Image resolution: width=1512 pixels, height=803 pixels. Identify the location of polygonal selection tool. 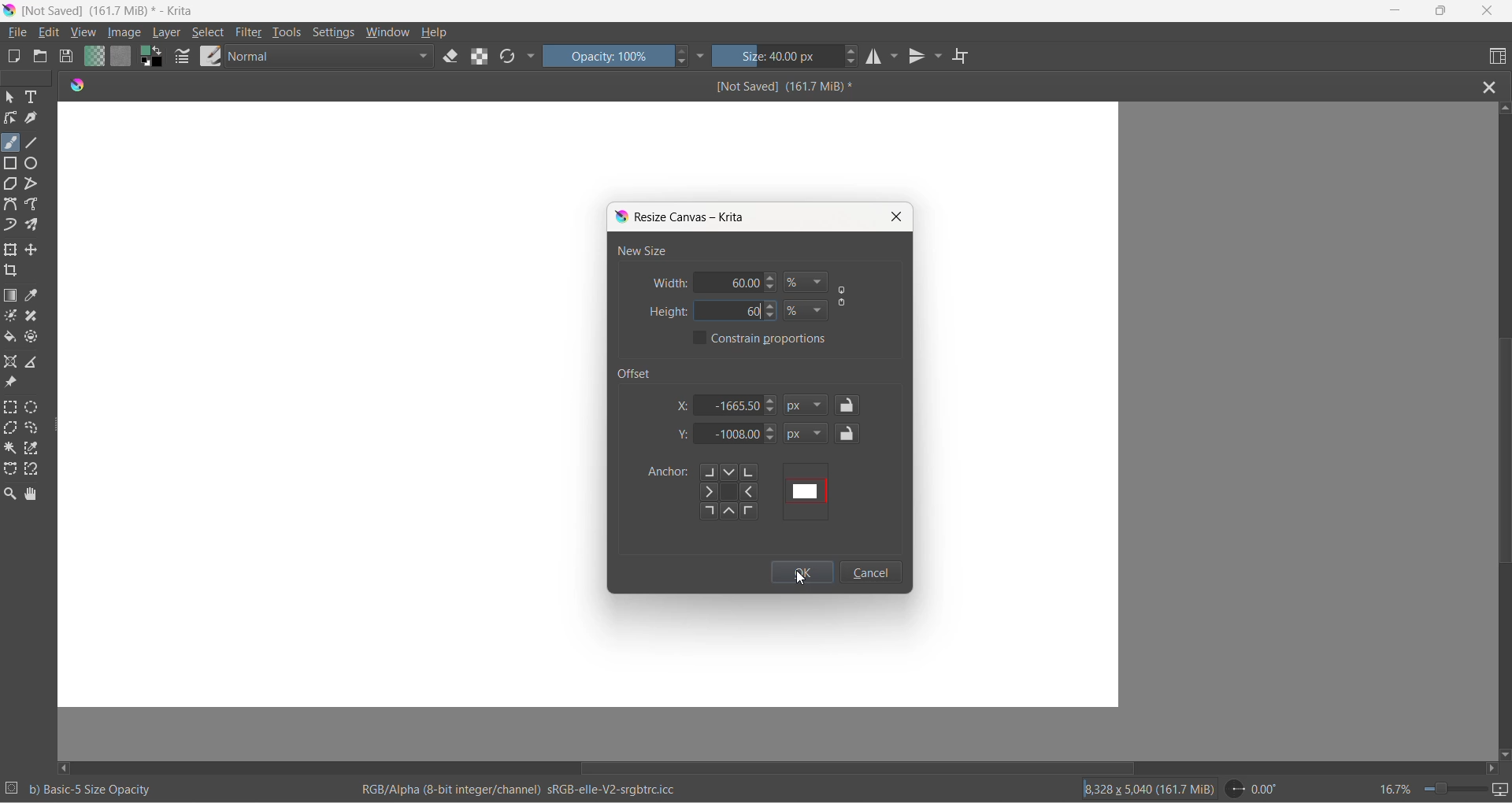
(12, 430).